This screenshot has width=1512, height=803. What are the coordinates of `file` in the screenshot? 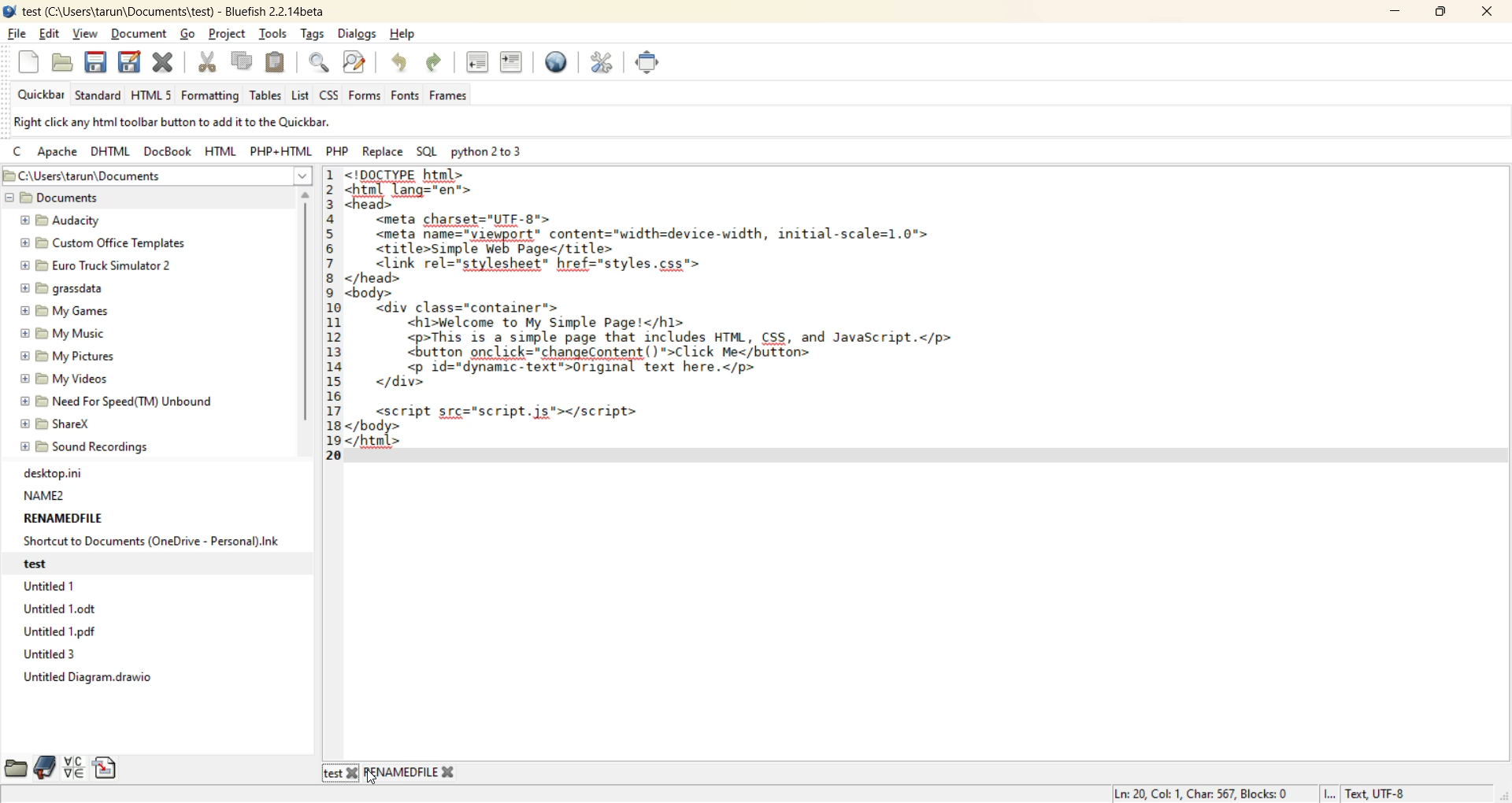 It's located at (15, 34).